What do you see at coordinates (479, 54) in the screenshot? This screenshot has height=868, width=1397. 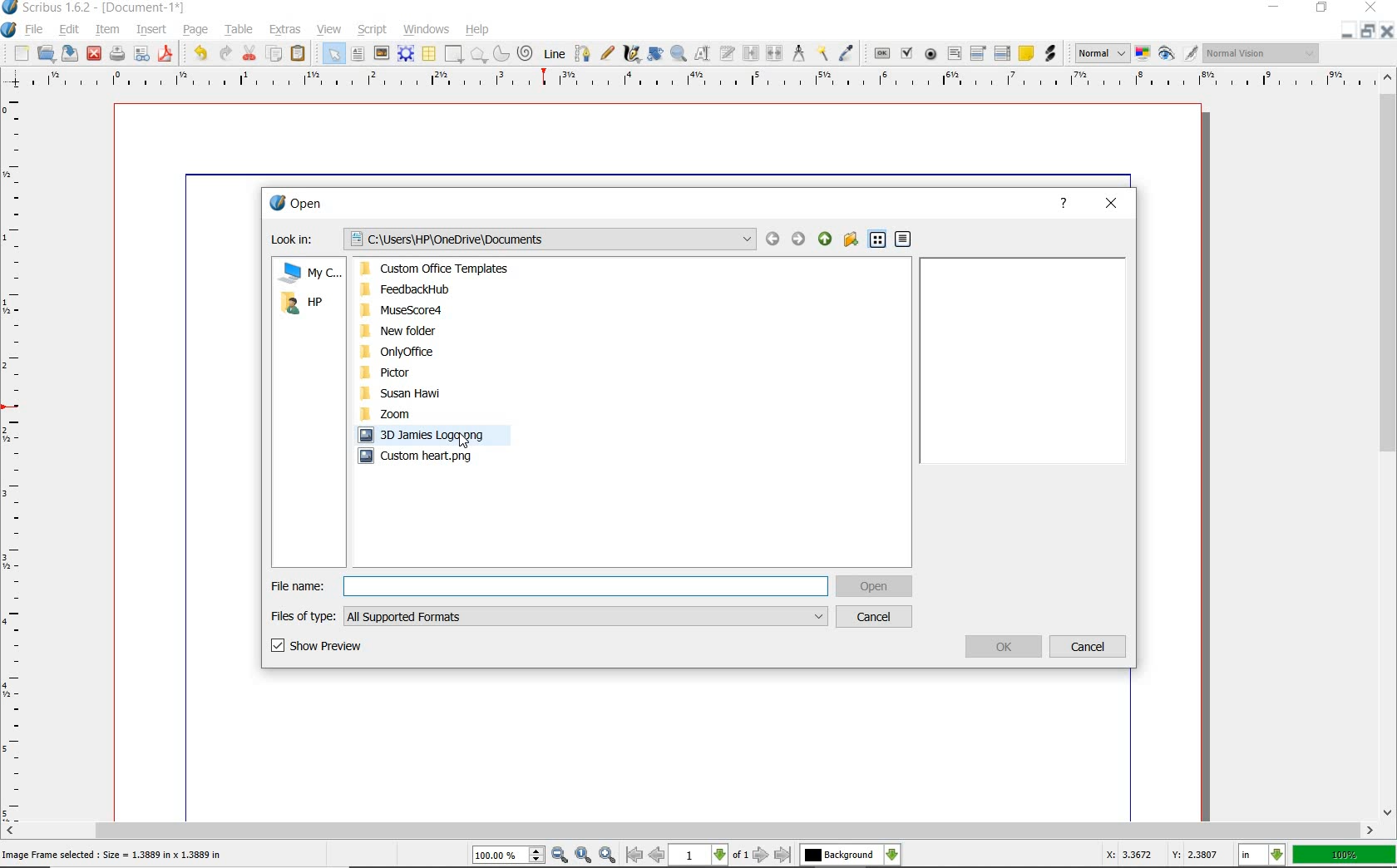 I see `polygon` at bounding box center [479, 54].